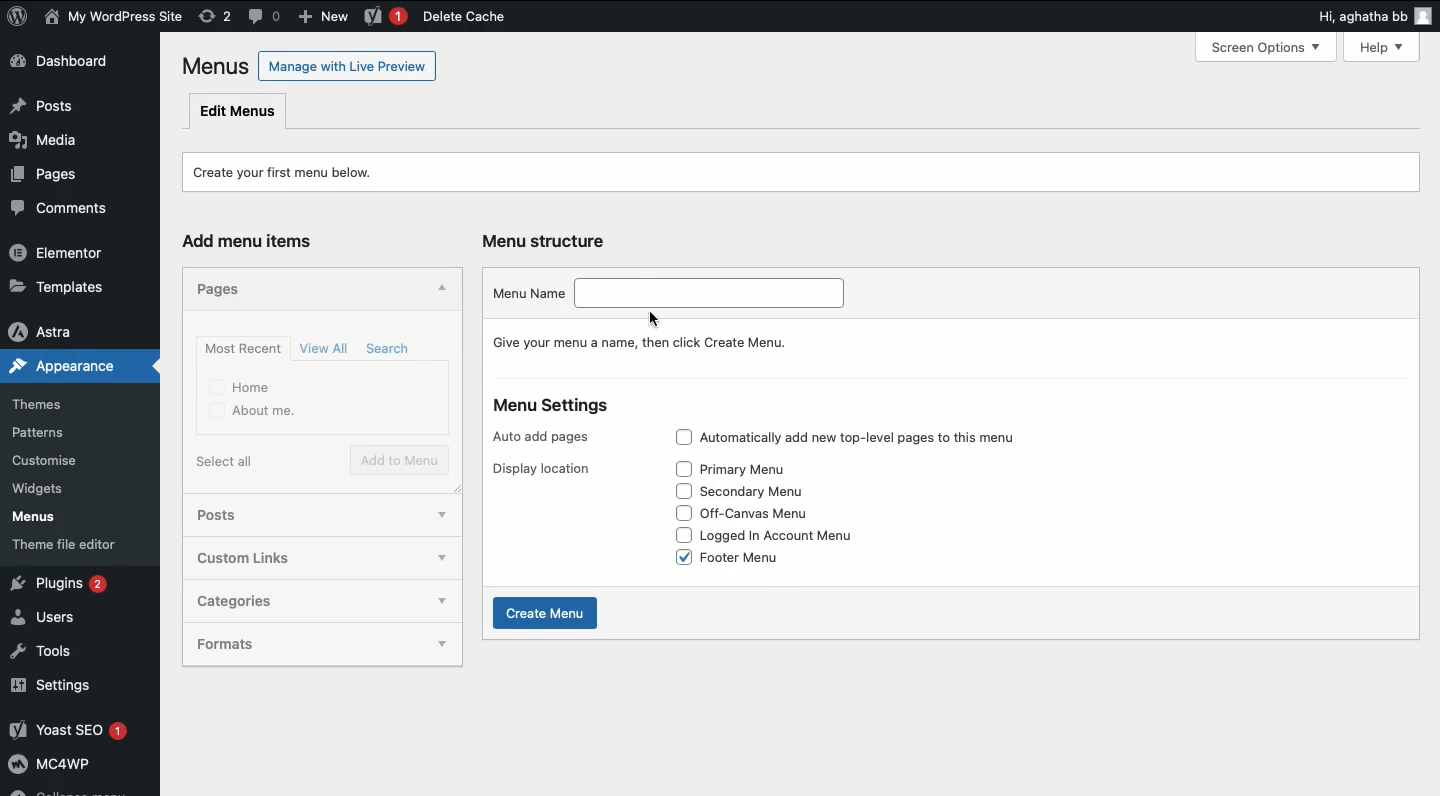 The width and height of the screenshot is (1440, 796). Describe the element at coordinates (212, 66) in the screenshot. I see `Menus` at that location.